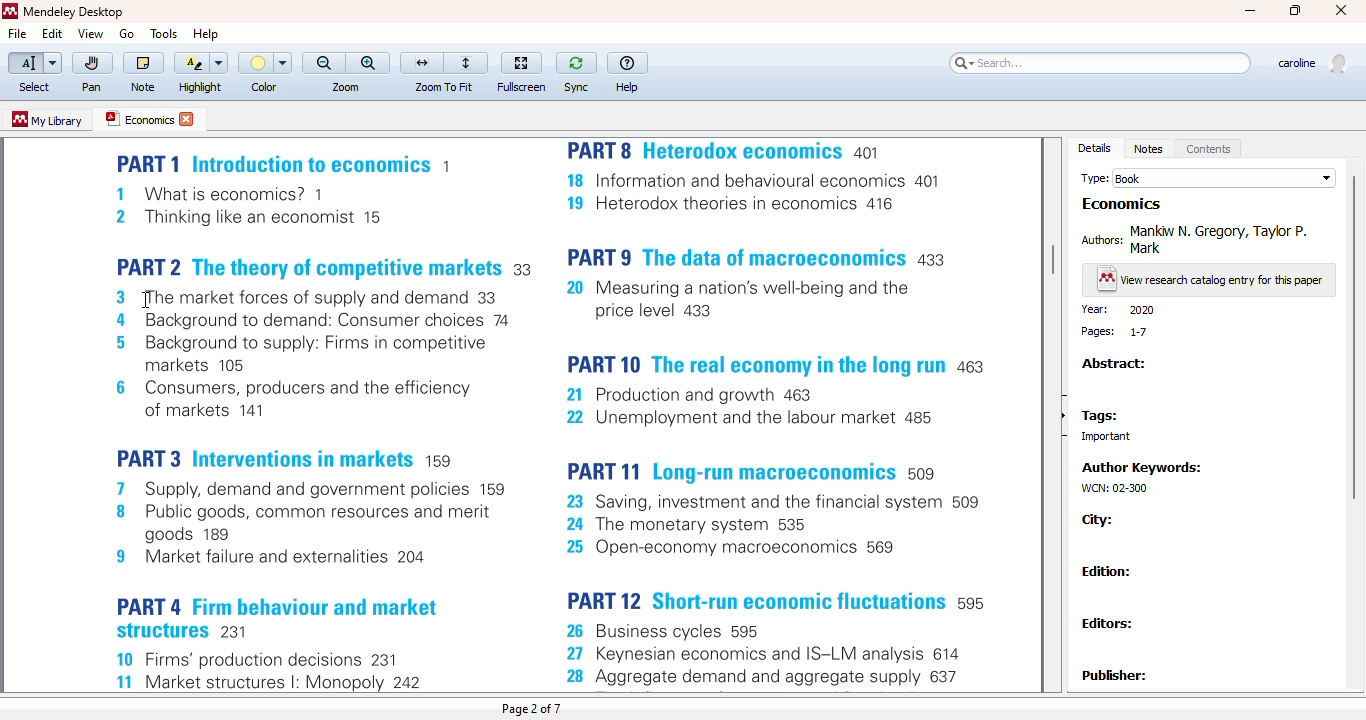 The height and width of the screenshot is (720, 1366). What do you see at coordinates (265, 63) in the screenshot?
I see `color` at bounding box center [265, 63].